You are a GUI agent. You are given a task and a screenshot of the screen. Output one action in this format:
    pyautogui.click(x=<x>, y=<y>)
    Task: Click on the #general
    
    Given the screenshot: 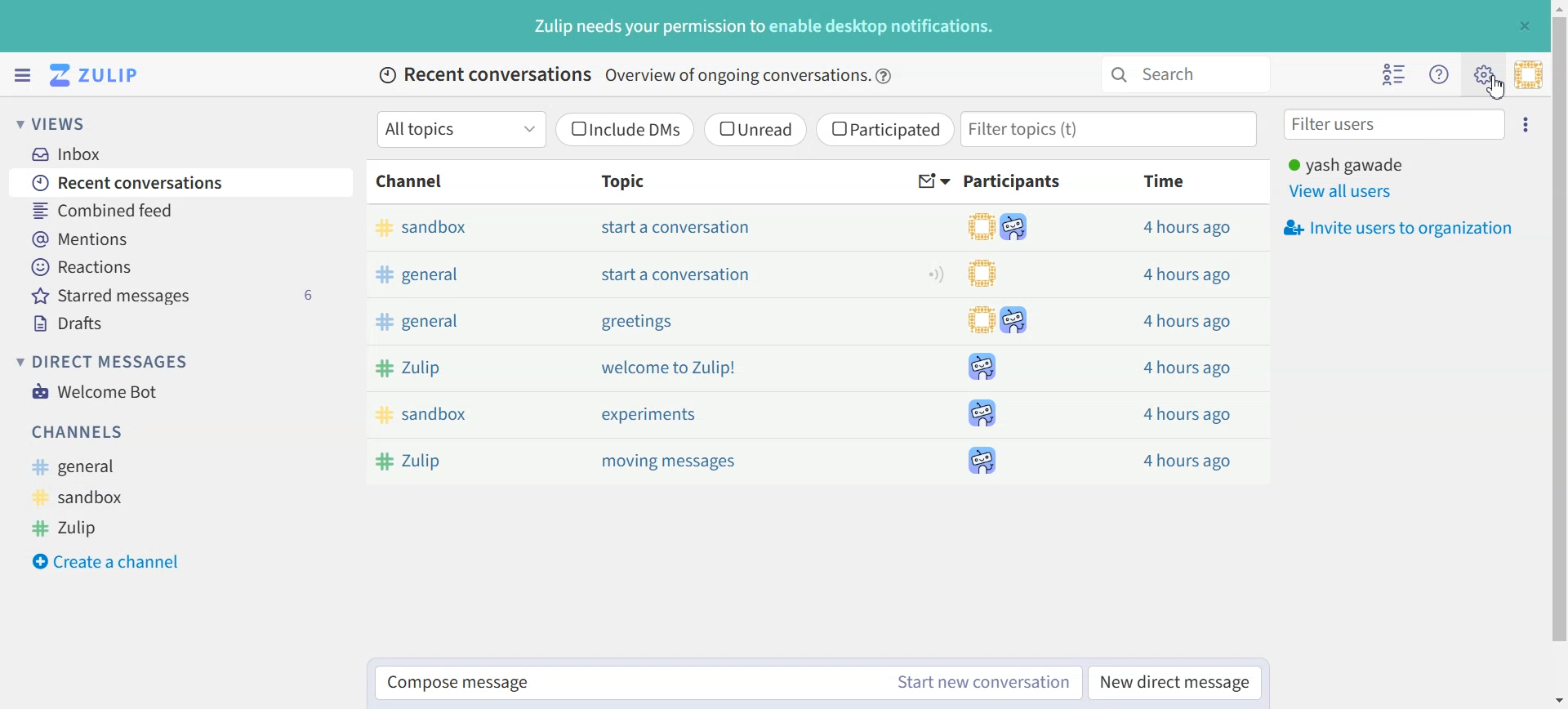 What is the action you would take?
    pyautogui.click(x=82, y=467)
    